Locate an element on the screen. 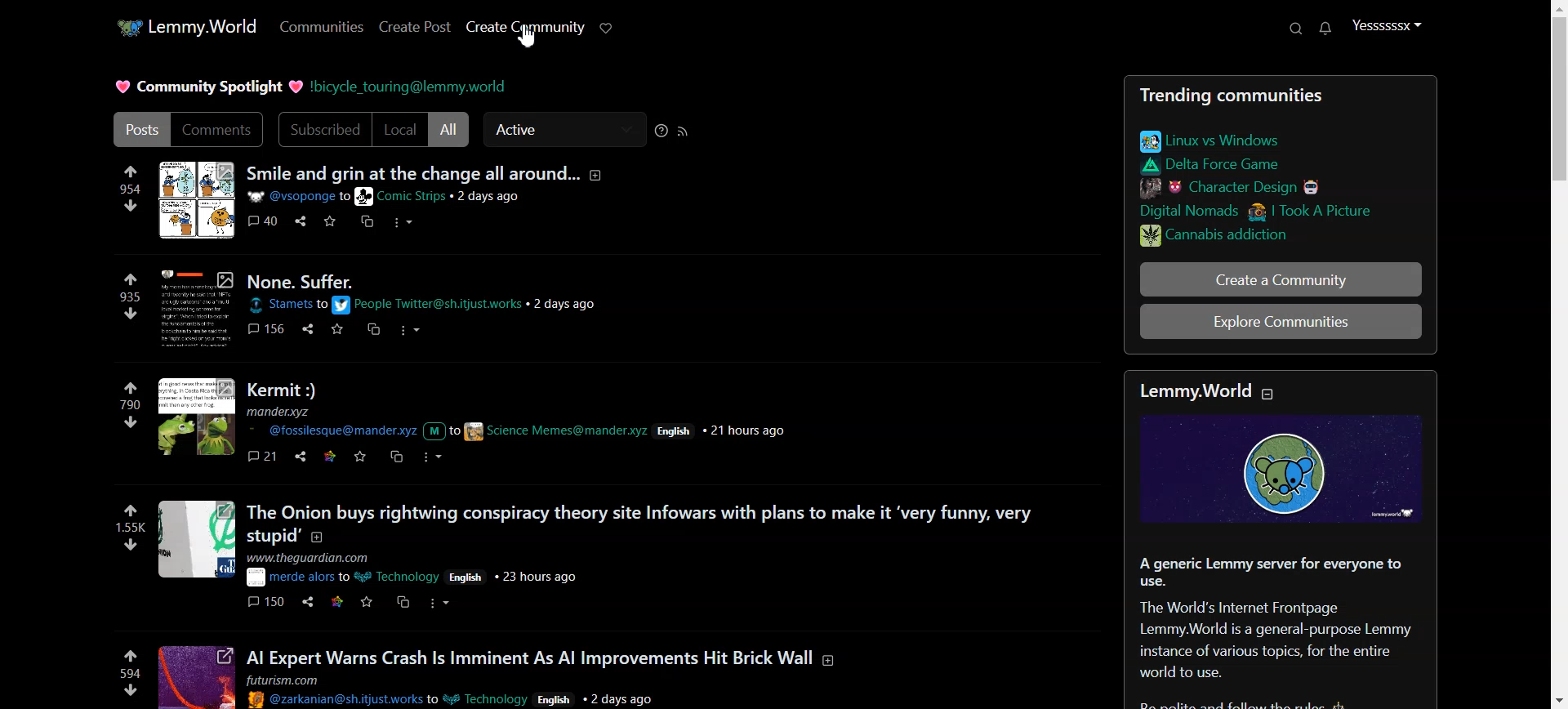  downvote is located at coordinates (132, 314).